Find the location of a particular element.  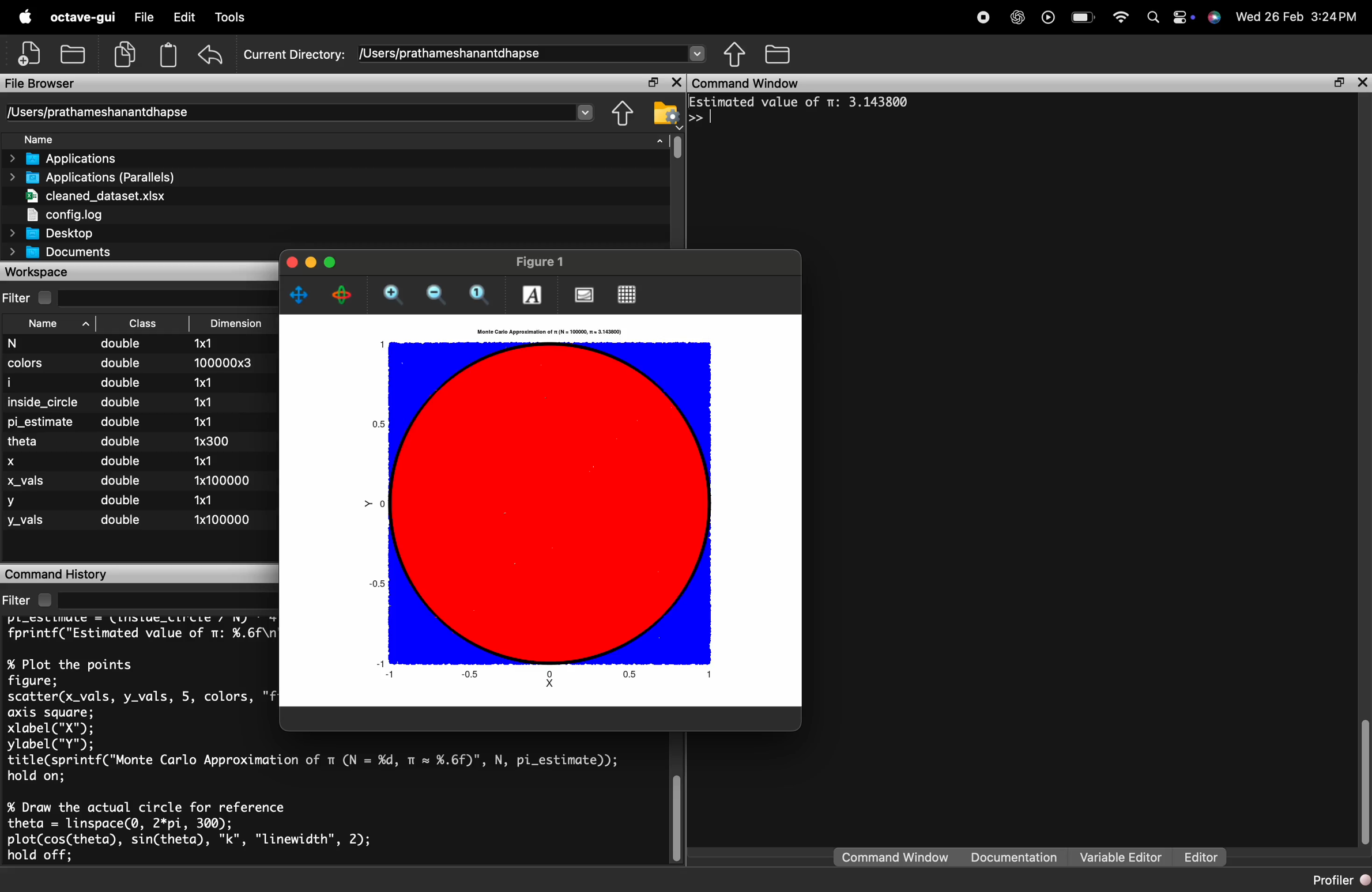

New Line is located at coordinates (696, 117).